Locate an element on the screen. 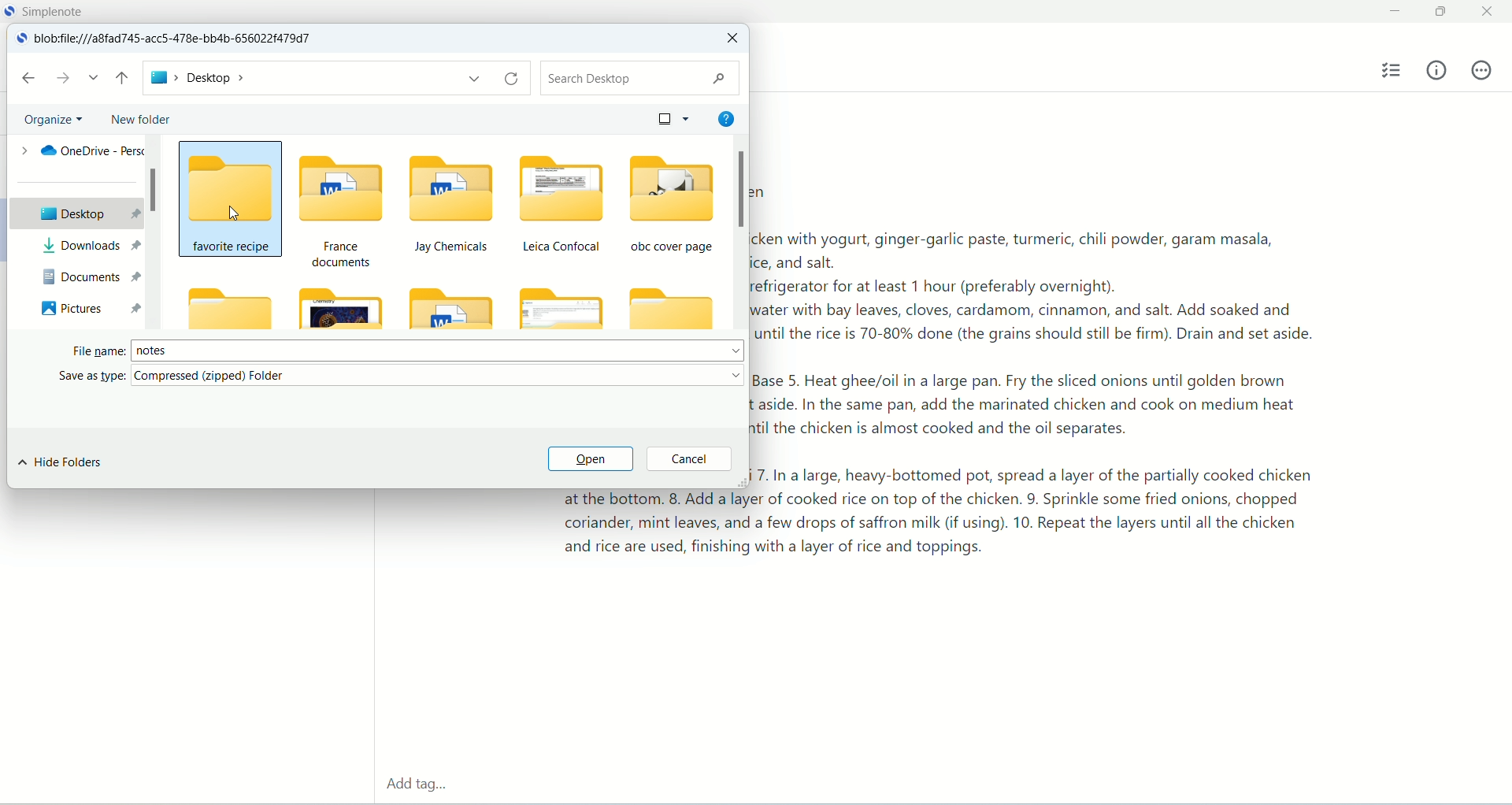 The width and height of the screenshot is (1512, 805). folder is located at coordinates (228, 308).